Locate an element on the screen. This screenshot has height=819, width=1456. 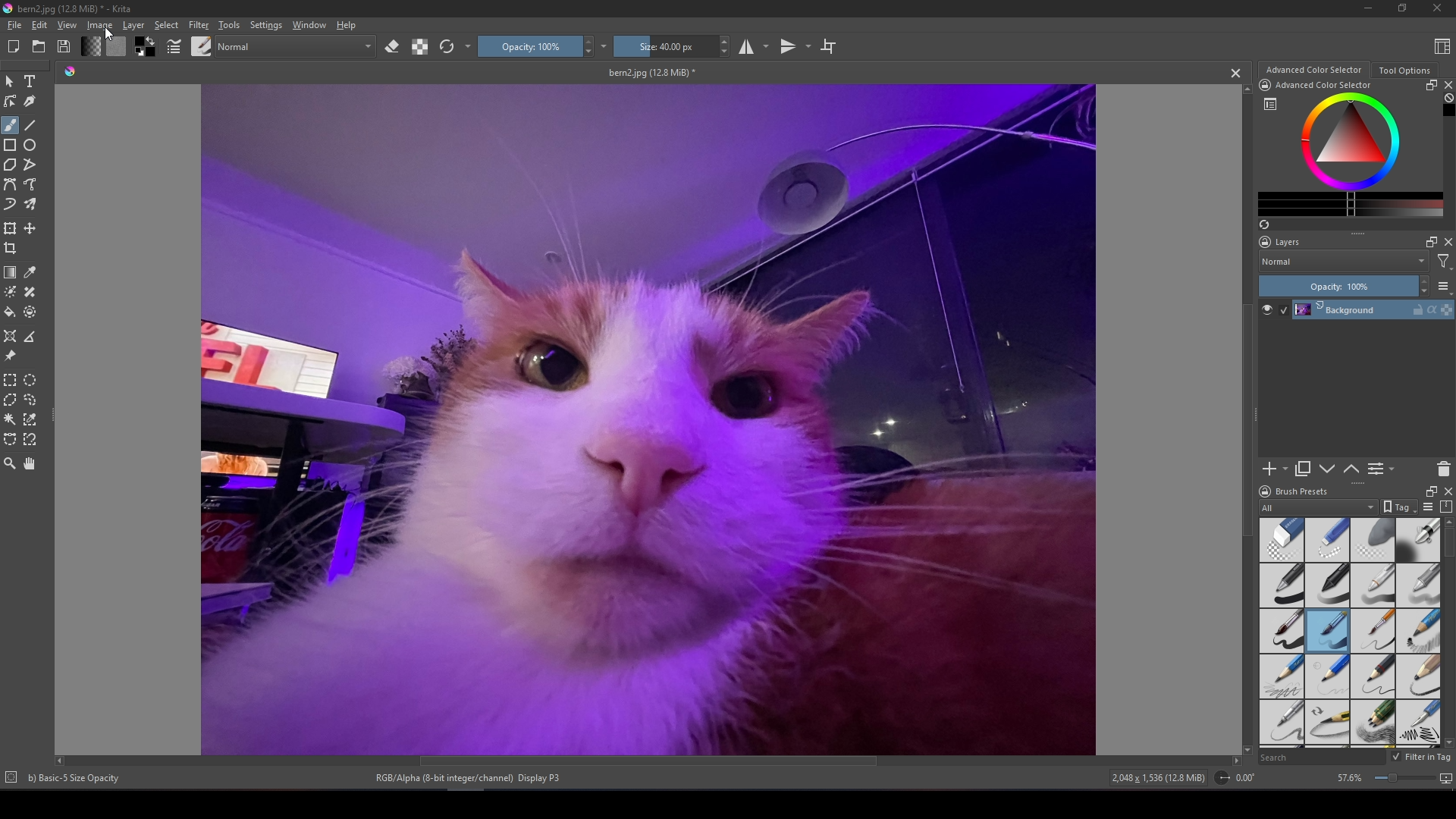
Orientation is located at coordinates (1238, 777).